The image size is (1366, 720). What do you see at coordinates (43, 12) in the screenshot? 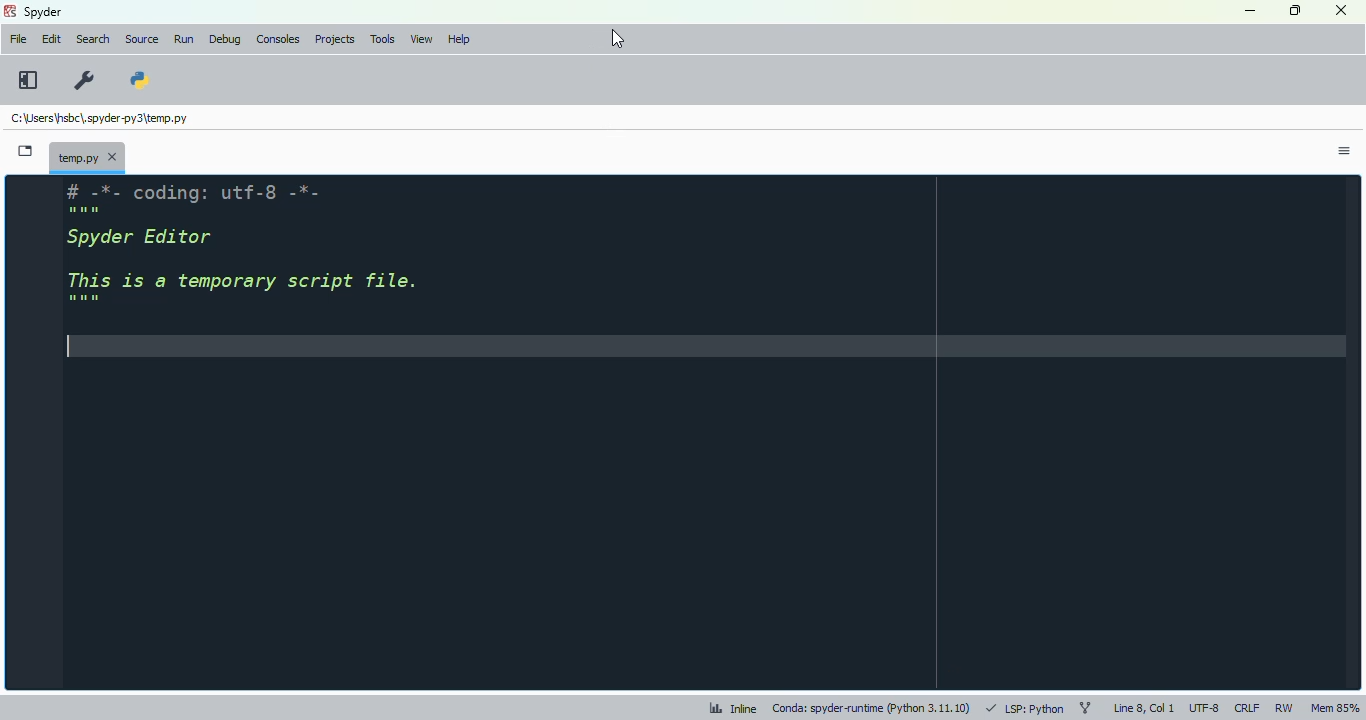
I see `spyder` at bounding box center [43, 12].